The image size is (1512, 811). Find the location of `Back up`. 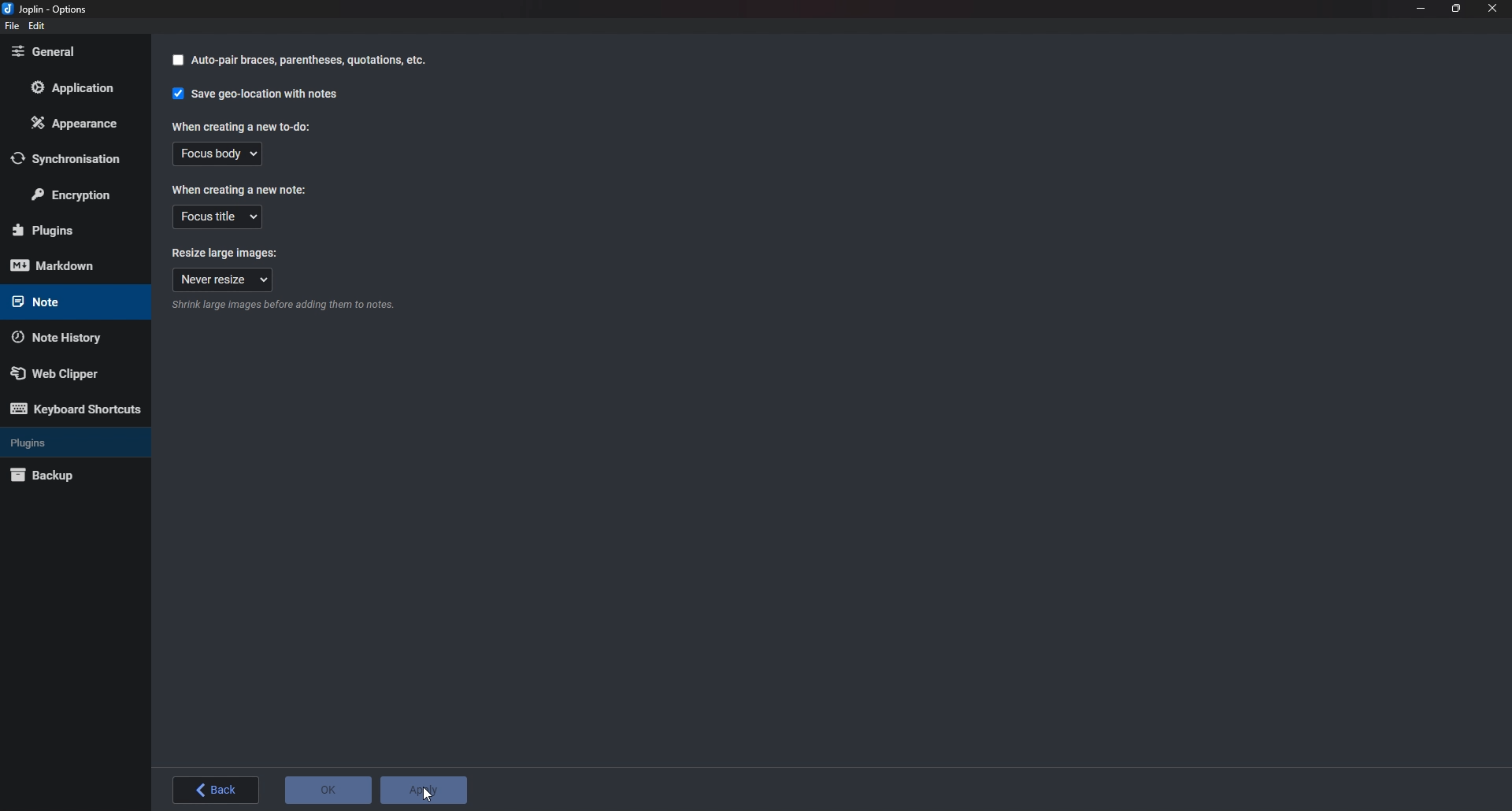

Back up is located at coordinates (72, 476).